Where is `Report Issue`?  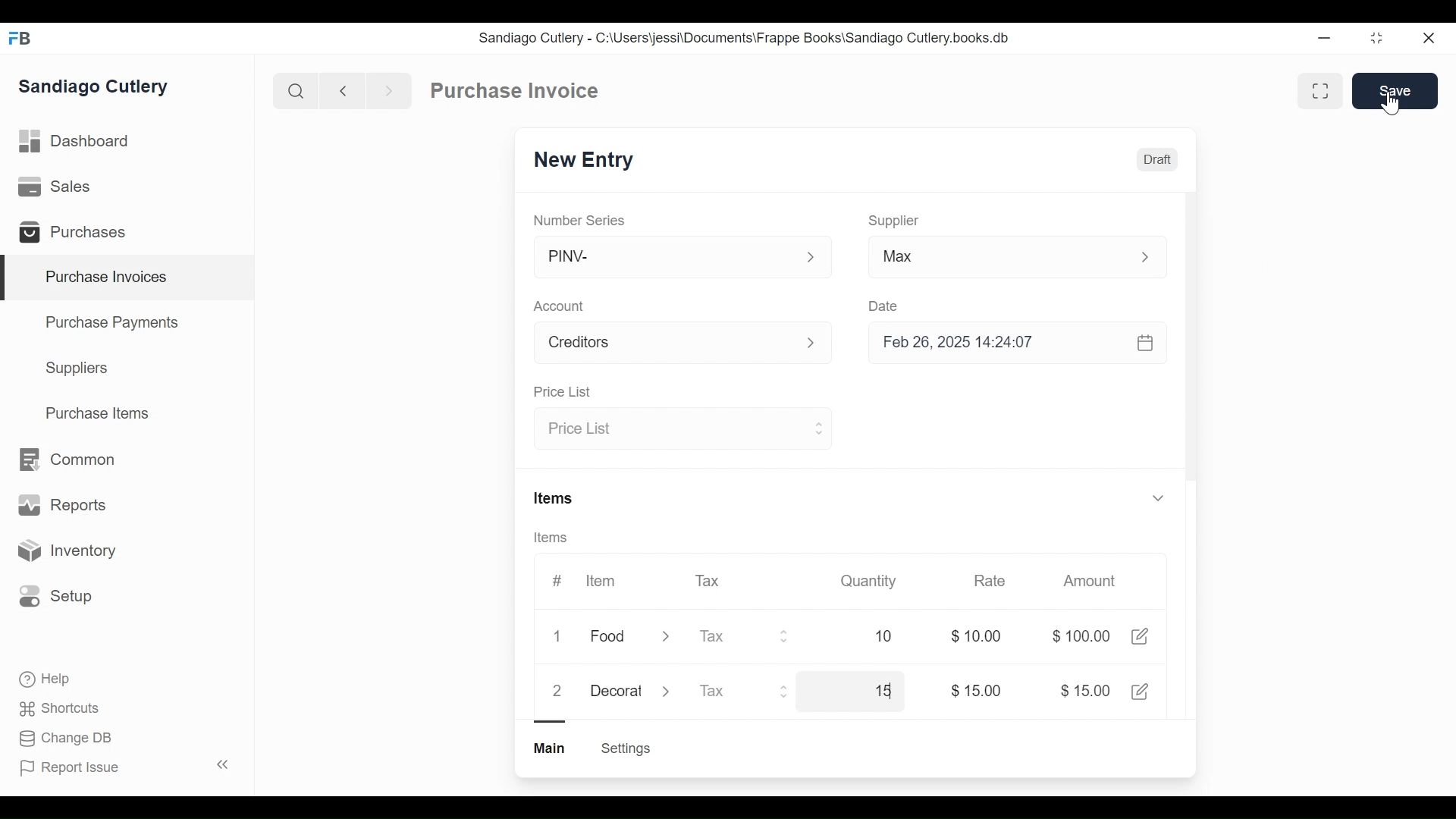
Report Issue is located at coordinates (124, 767).